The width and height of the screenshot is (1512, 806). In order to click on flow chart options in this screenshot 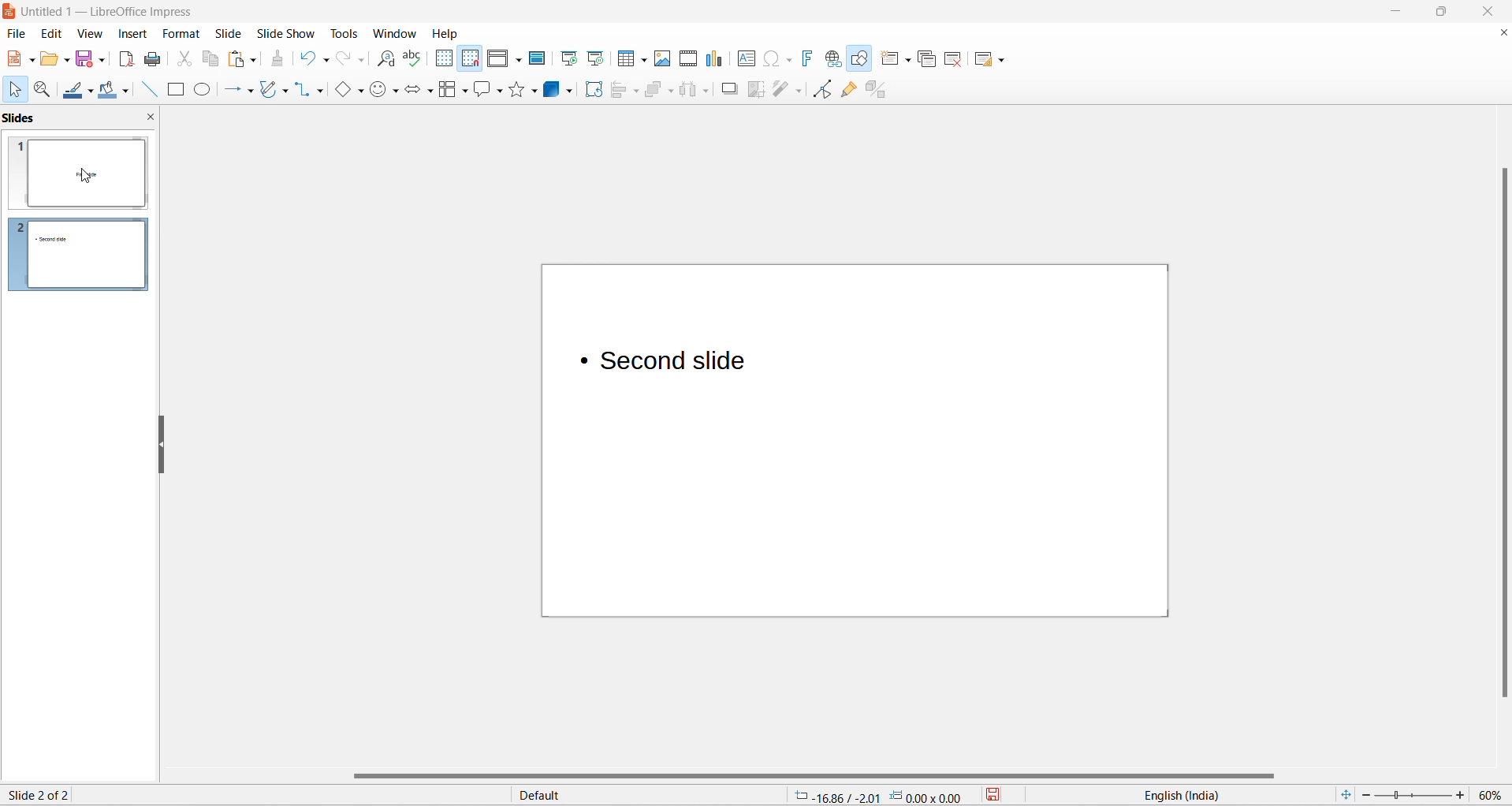, I will do `click(462, 91)`.